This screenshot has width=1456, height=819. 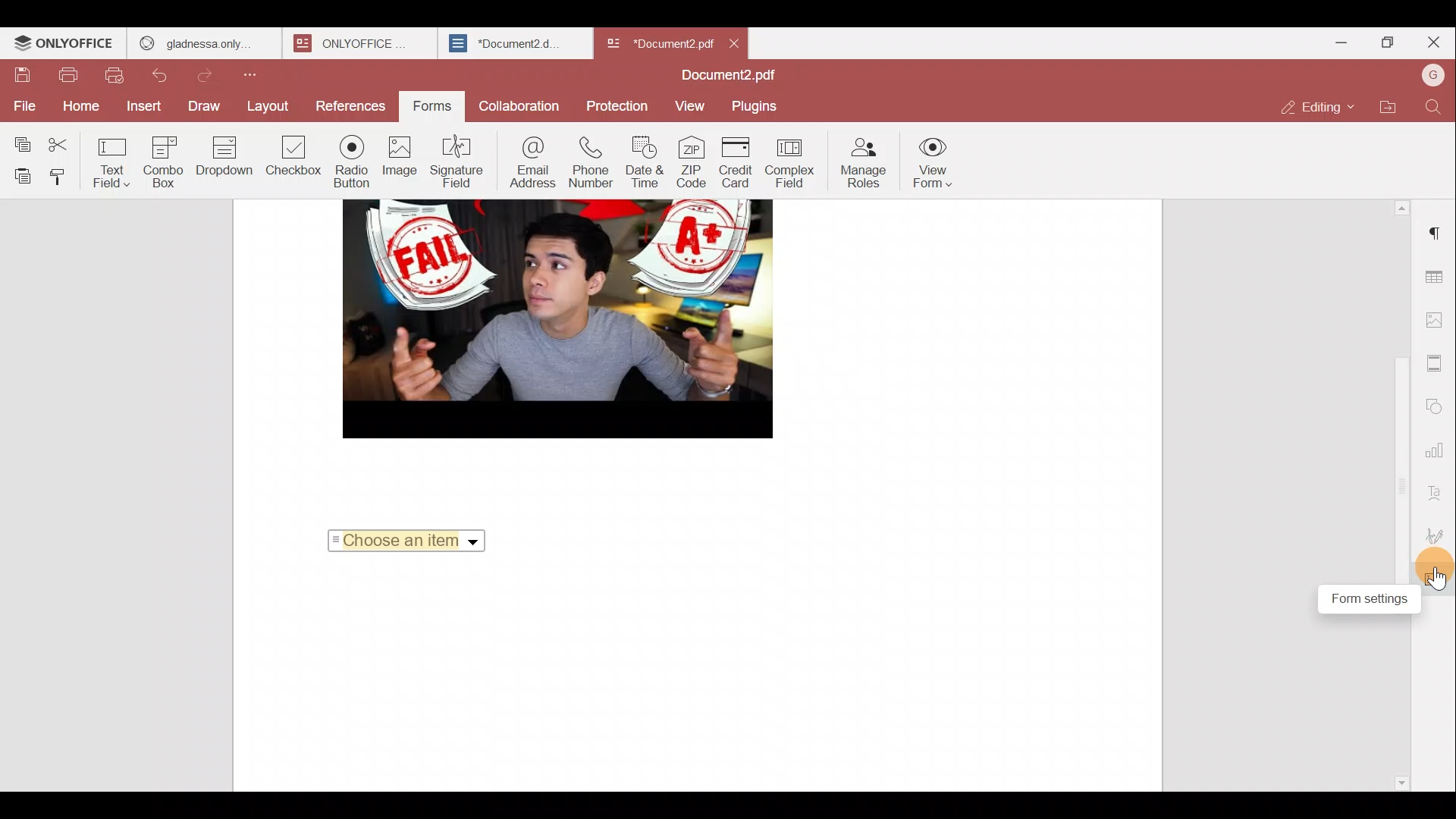 I want to click on Close, so click(x=1433, y=42).